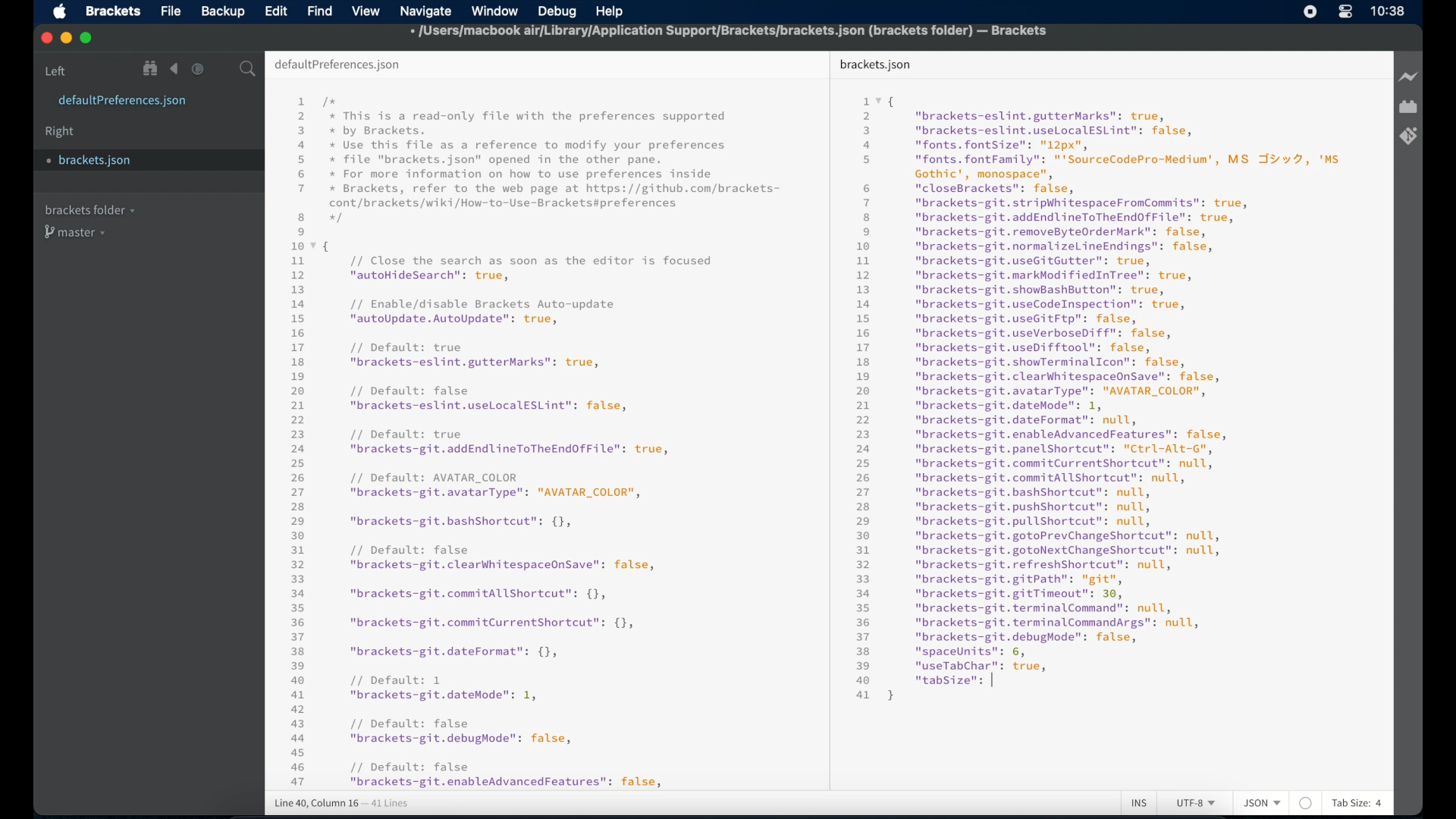 This screenshot has height=819, width=1456. What do you see at coordinates (1263, 802) in the screenshot?
I see `json` at bounding box center [1263, 802].